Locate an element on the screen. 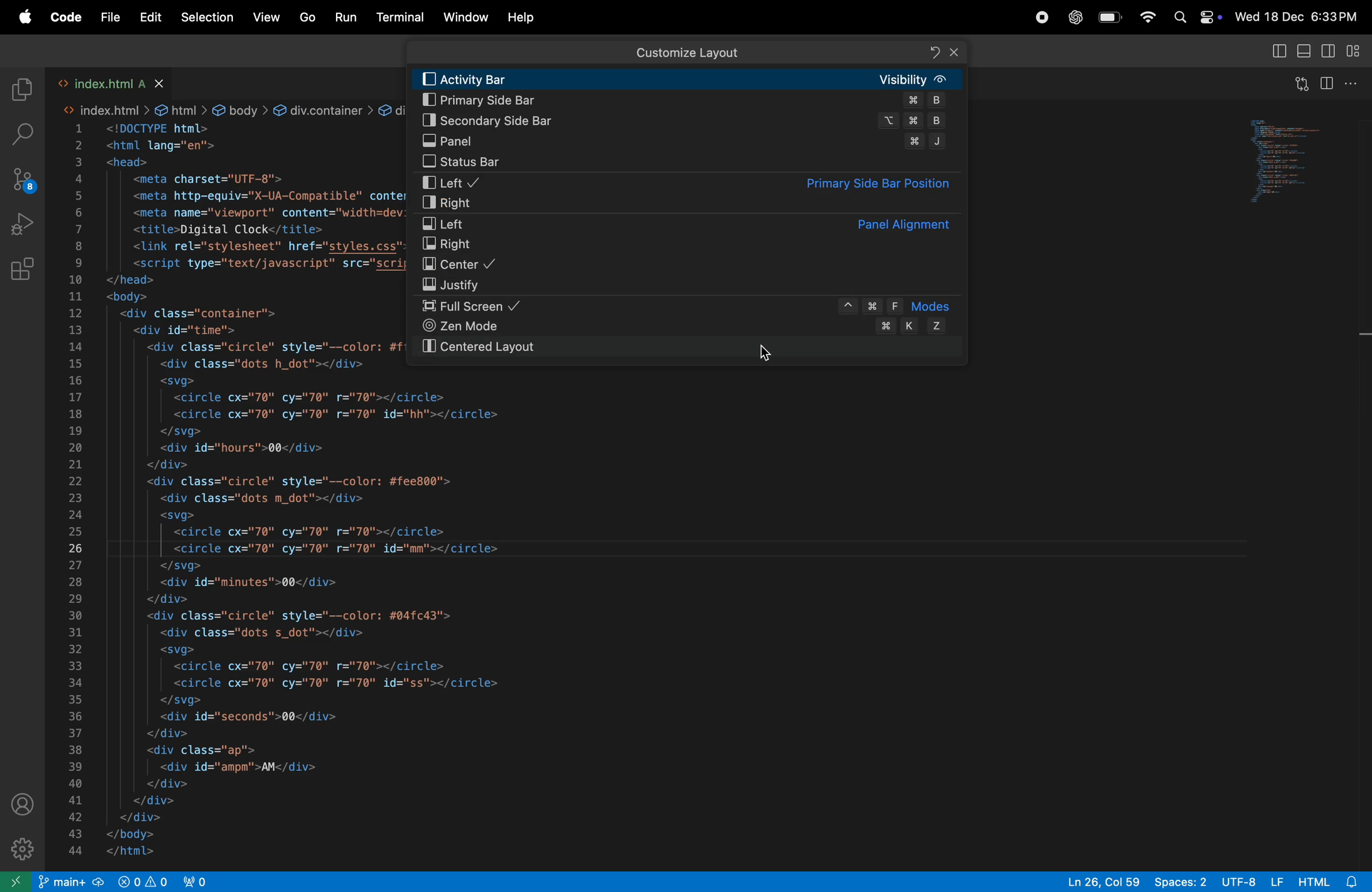 The image size is (1372, 892). Go is located at coordinates (307, 18).